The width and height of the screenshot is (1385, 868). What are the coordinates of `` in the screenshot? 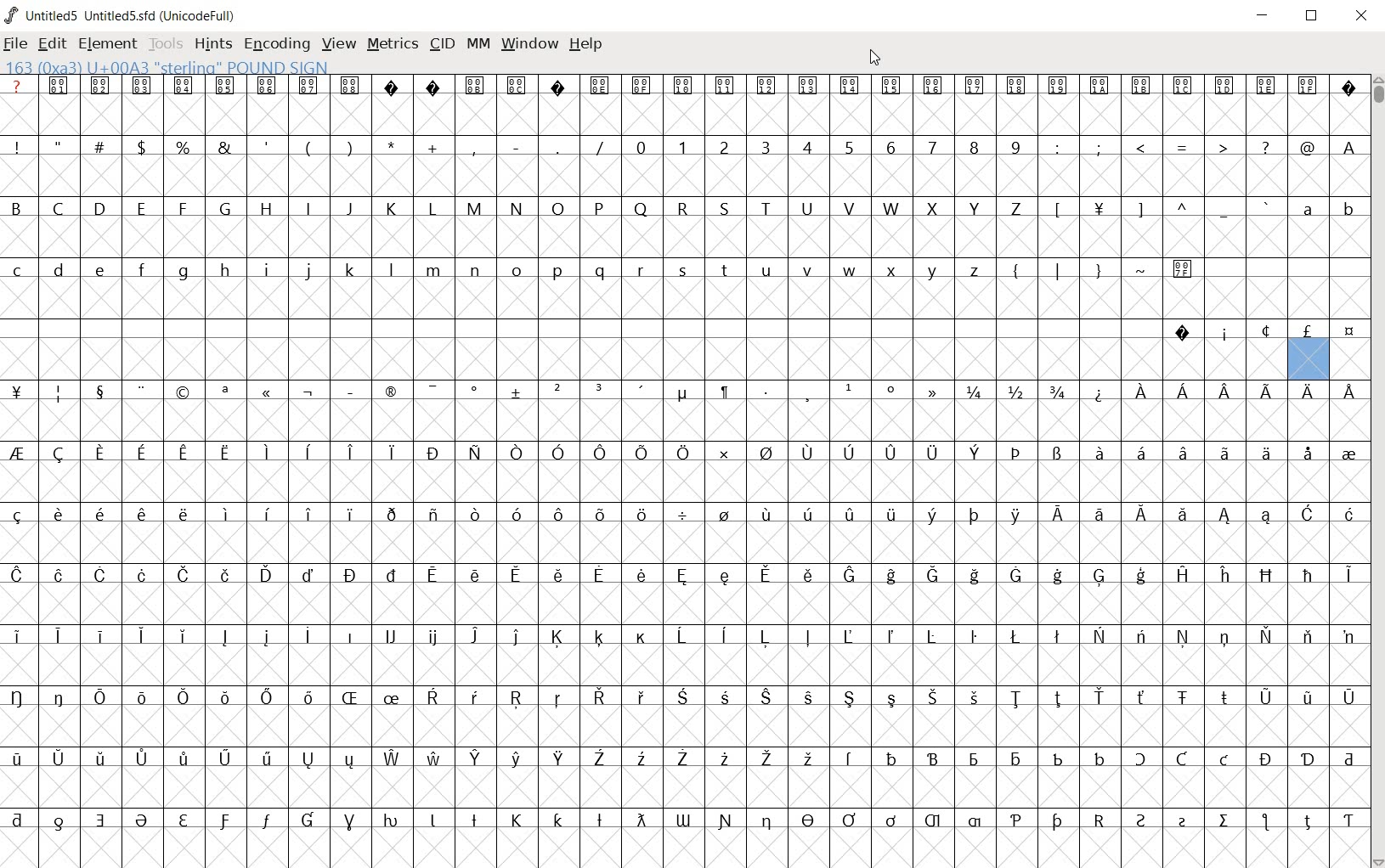 It's located at (181, 514).